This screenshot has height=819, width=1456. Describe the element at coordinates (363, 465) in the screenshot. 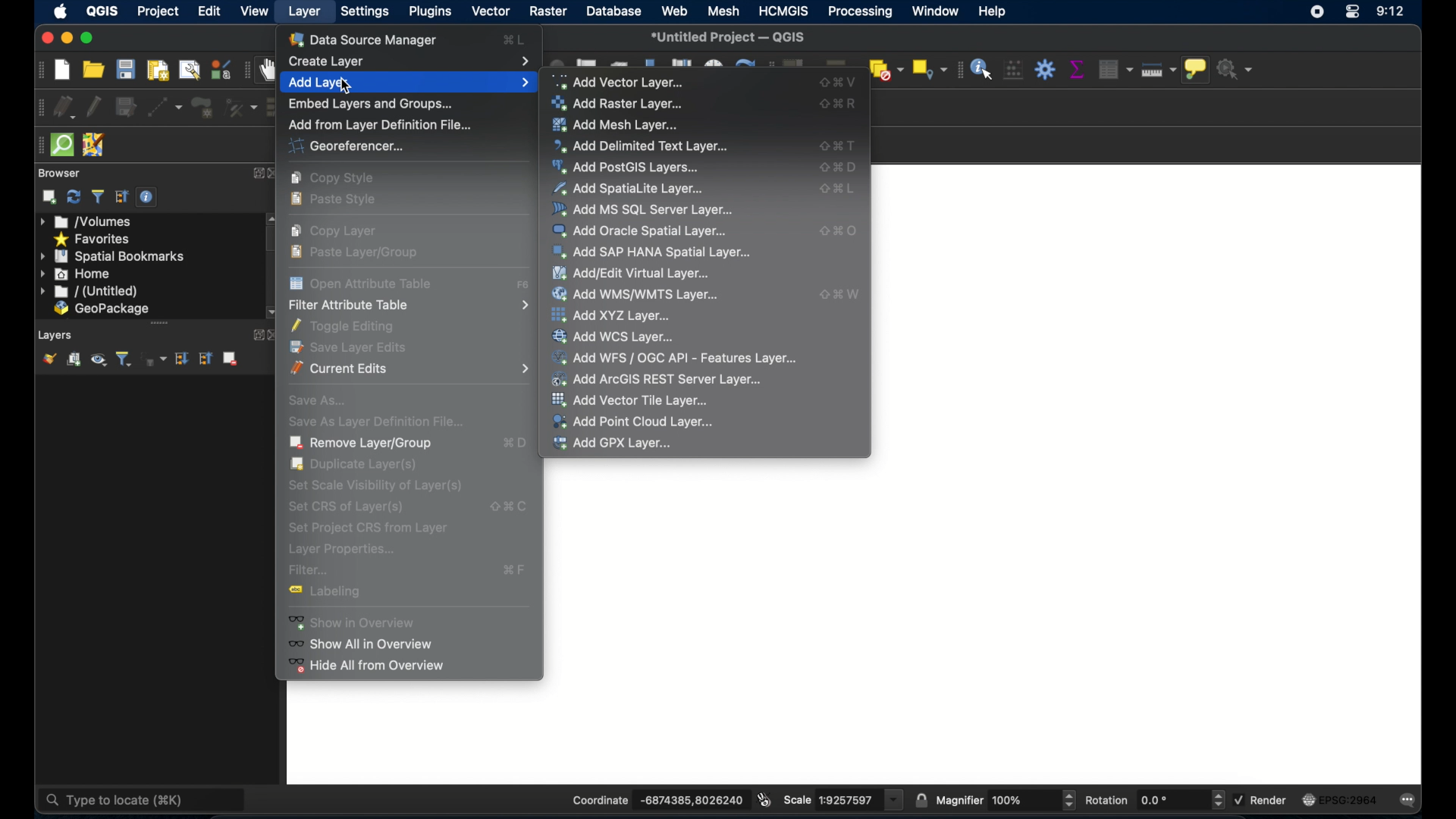

I see `Duplicate Layer(s)` at that location.